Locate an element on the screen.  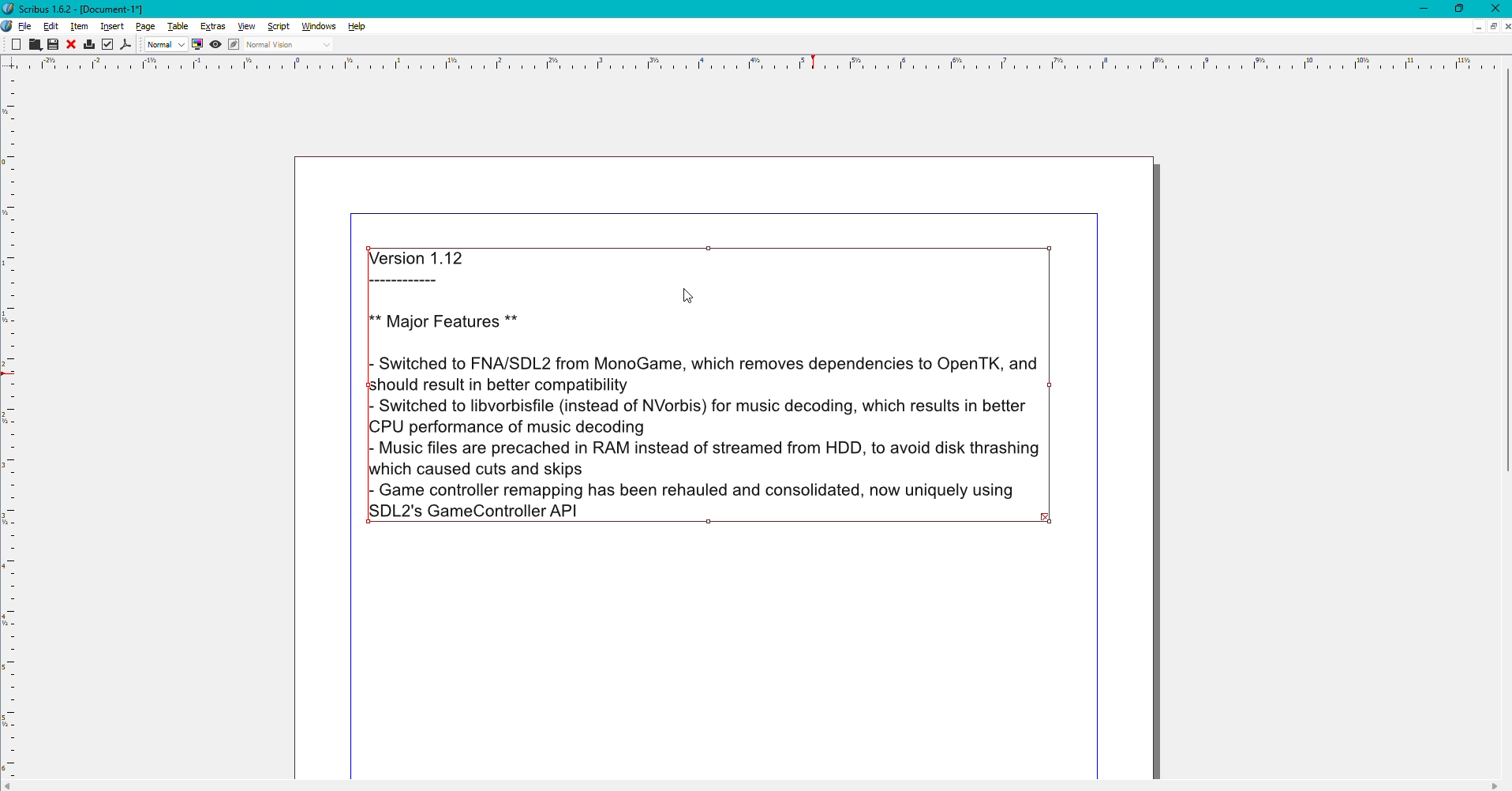
scroll bar is located at coordinates (1506, 274).